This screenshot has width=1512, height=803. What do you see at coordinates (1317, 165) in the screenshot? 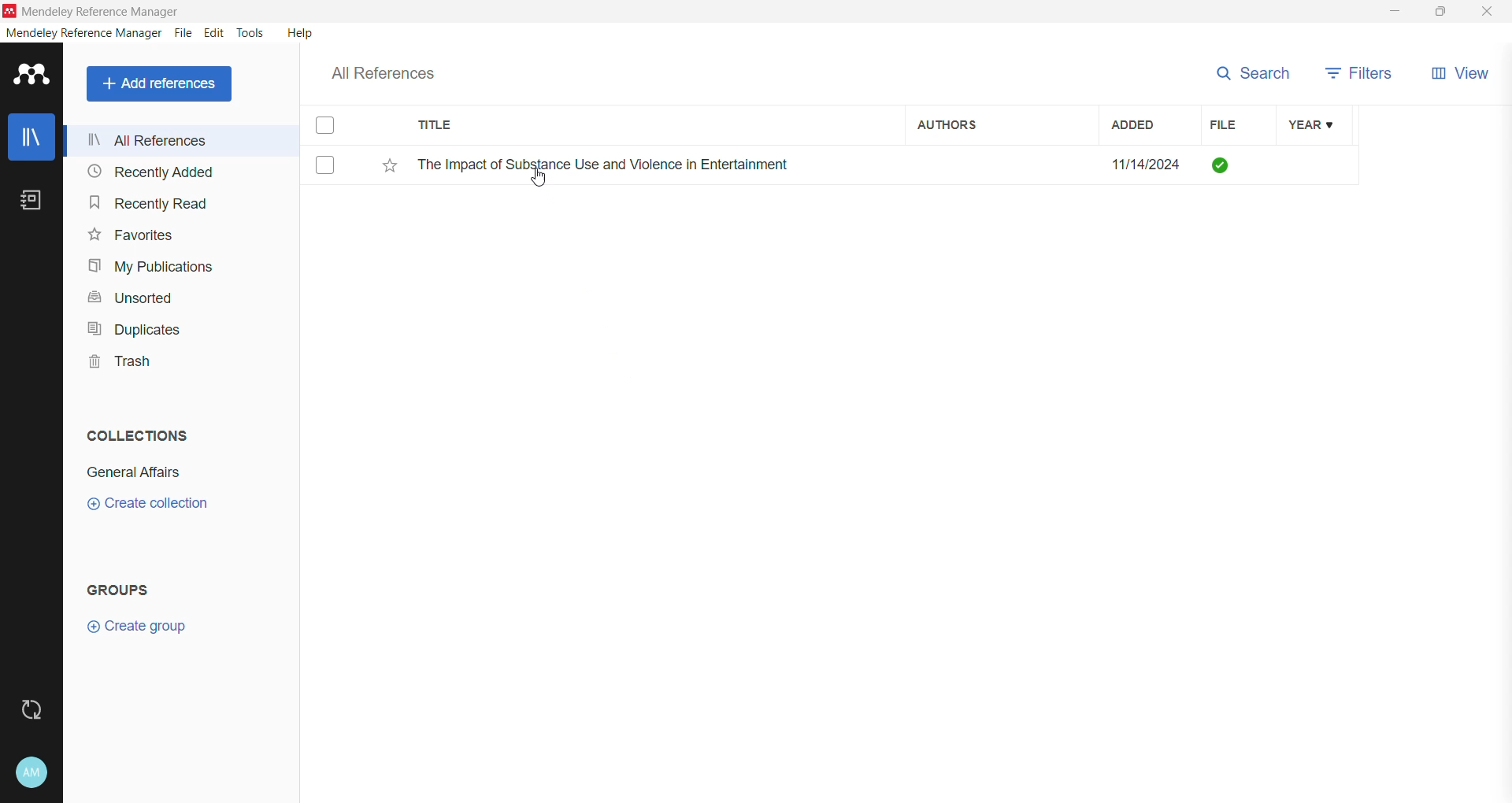
I see `File published Date` at bounding box center [1317, 165].